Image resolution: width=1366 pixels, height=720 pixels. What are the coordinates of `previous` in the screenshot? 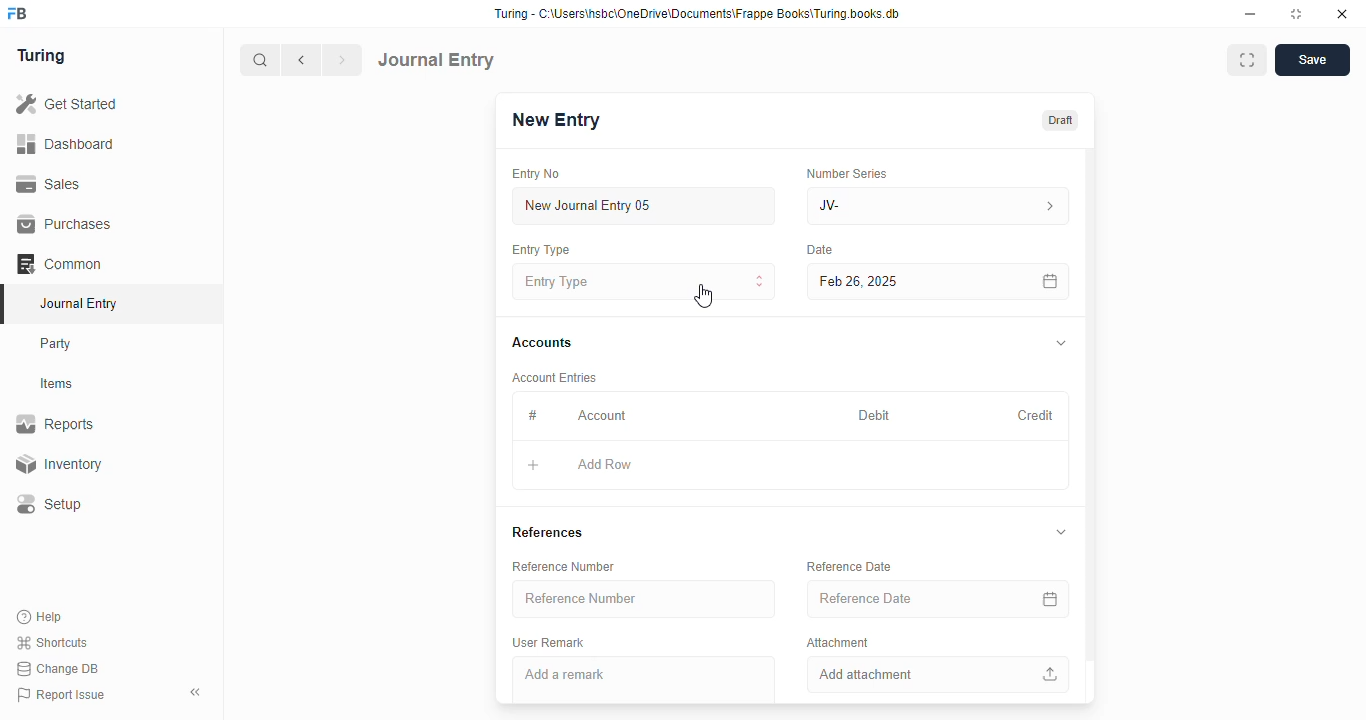 It's located at (303, 60).